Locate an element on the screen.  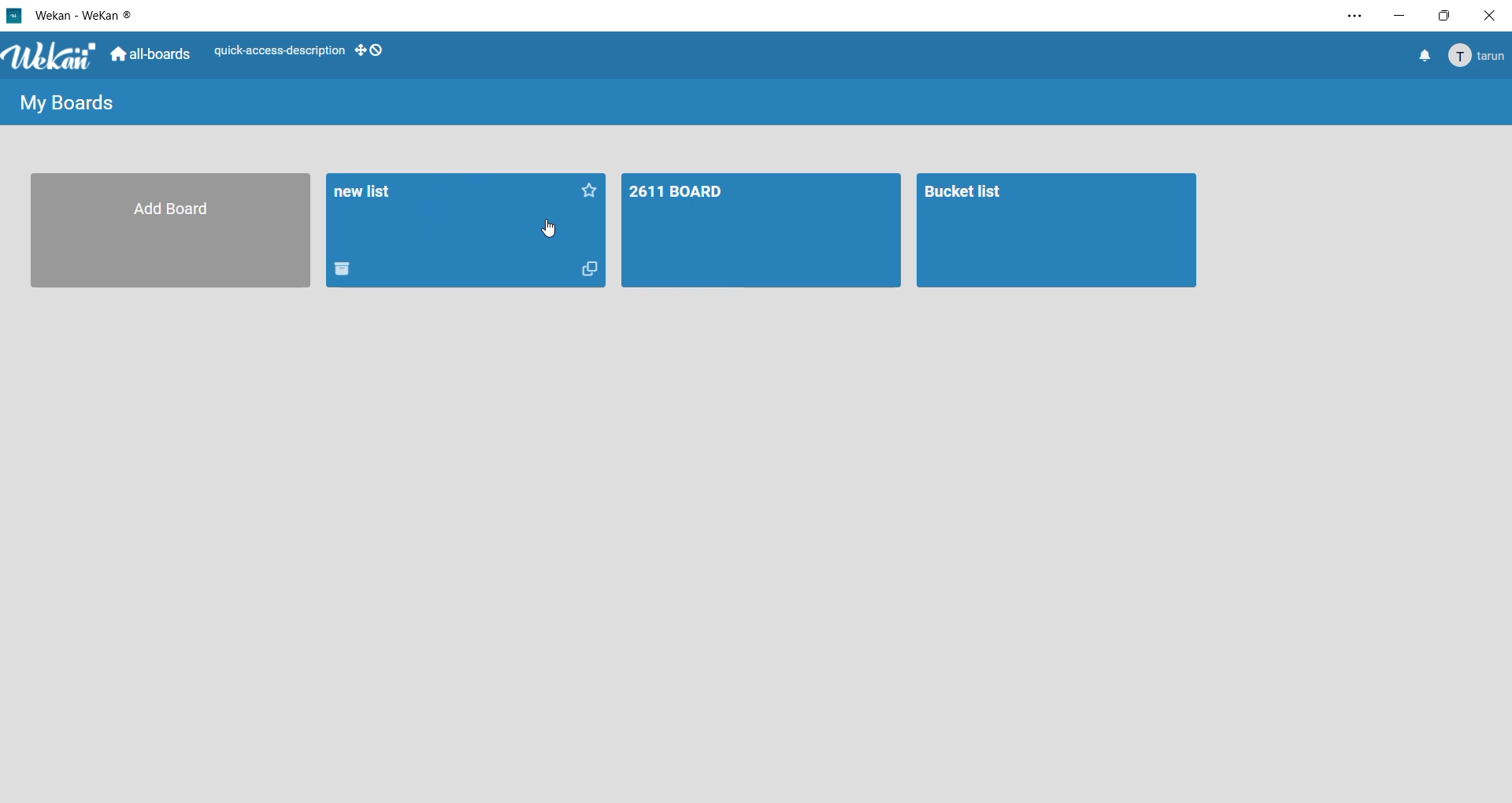
quick access description is located at coordinates (279, 49).